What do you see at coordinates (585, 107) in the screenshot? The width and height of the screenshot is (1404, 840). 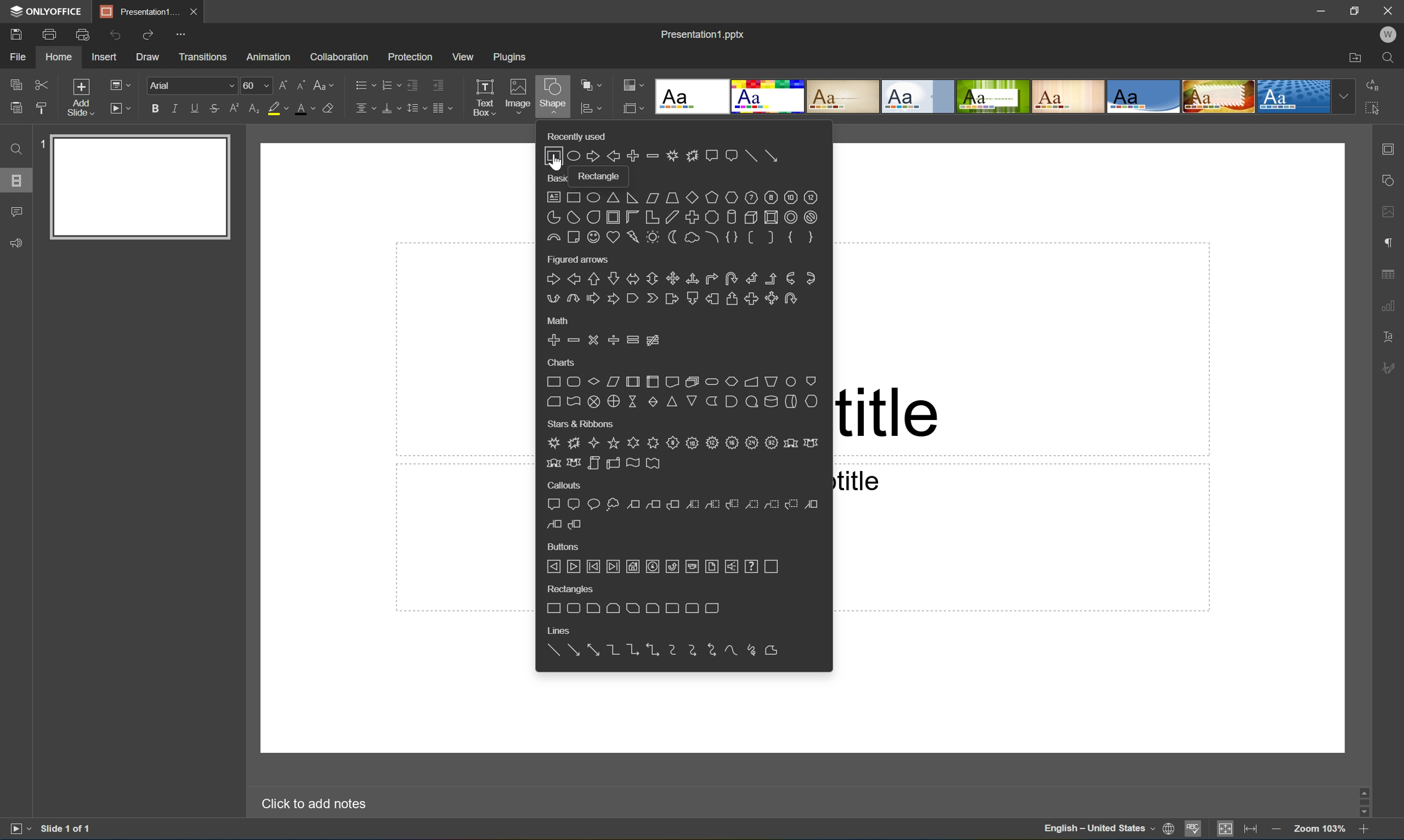 I see `icon` at bounding box center [585, 107].